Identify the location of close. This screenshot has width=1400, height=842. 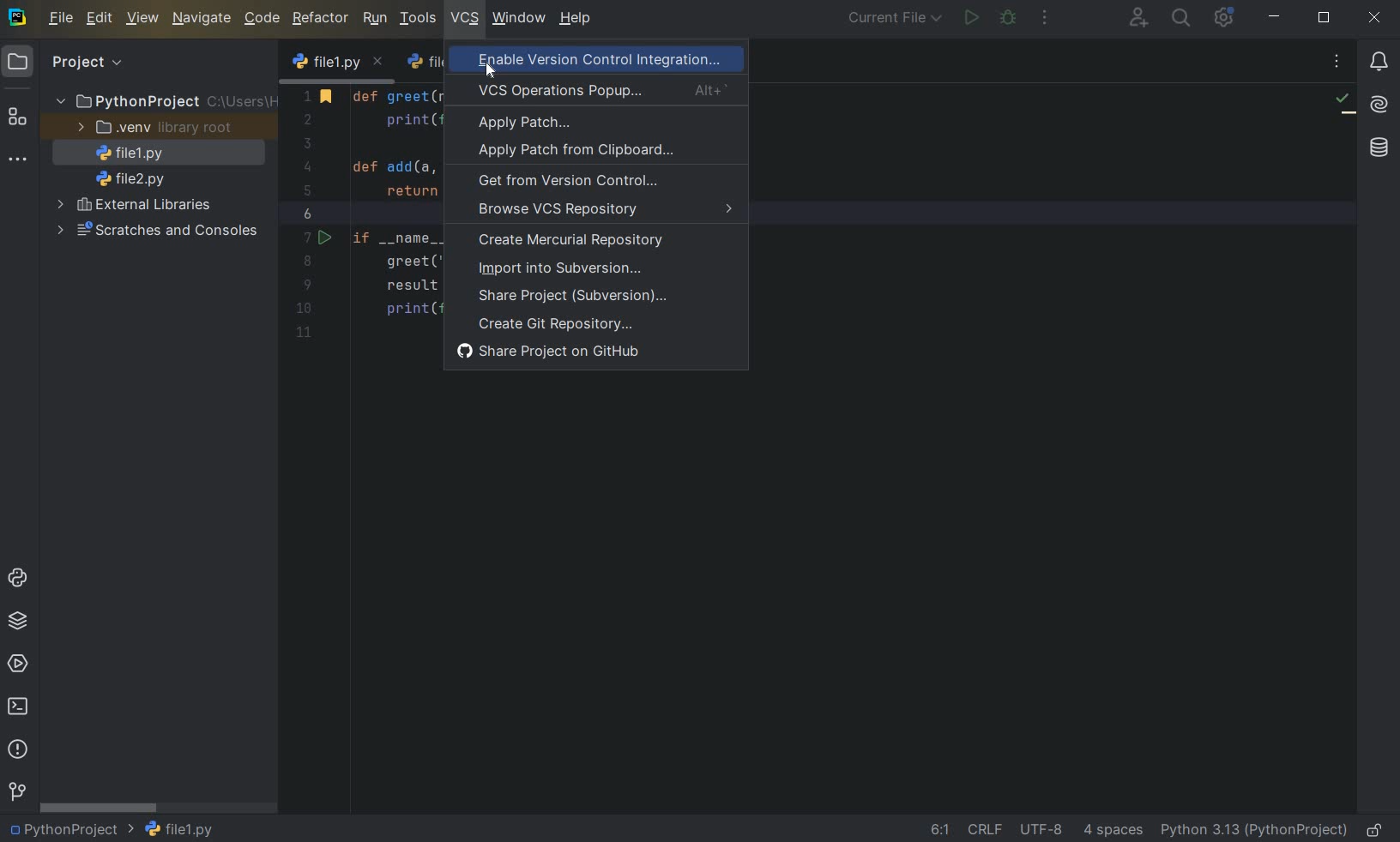
(1377, 18).